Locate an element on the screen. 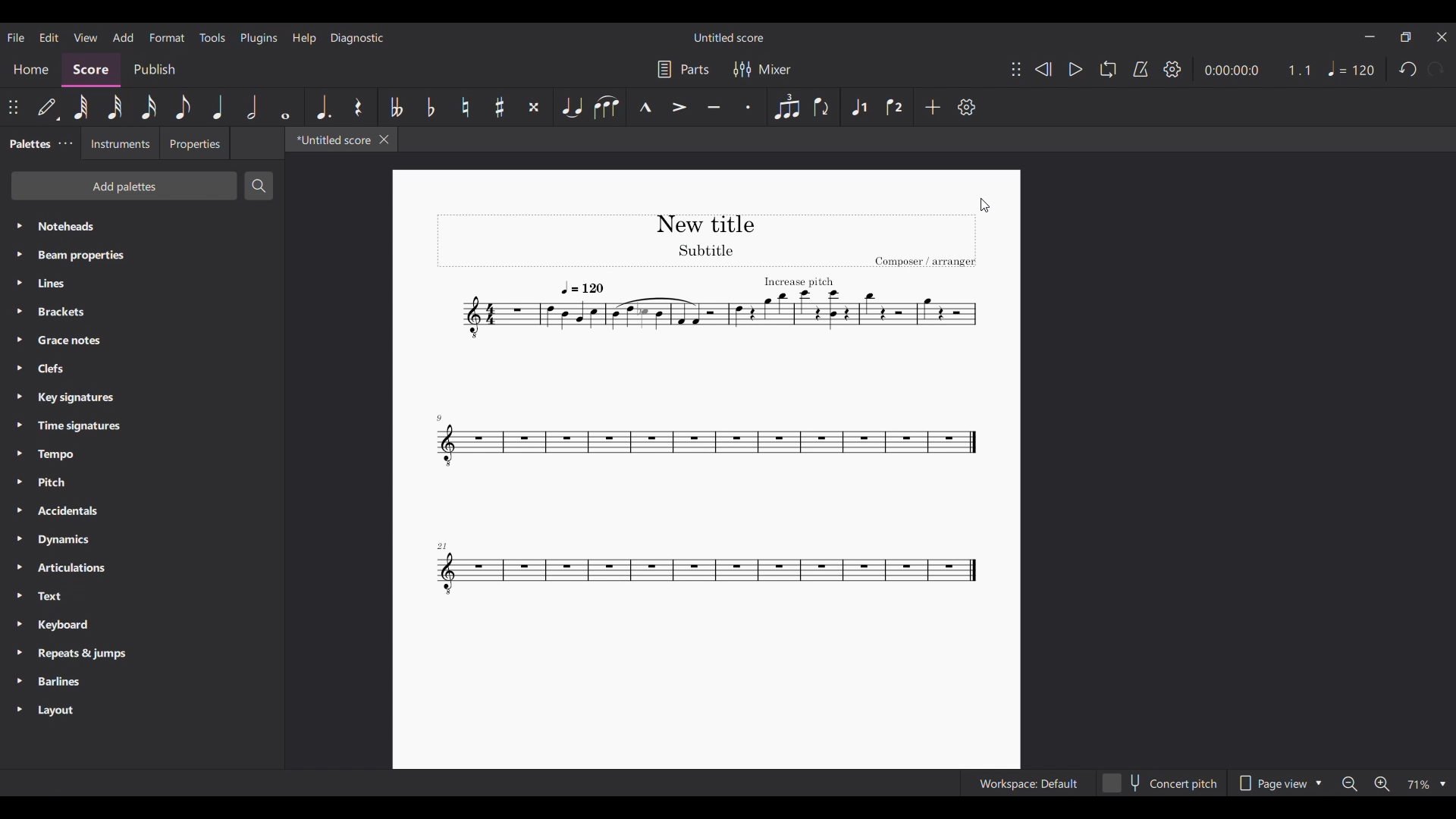  Clefs is located at coordinates (142, 368).